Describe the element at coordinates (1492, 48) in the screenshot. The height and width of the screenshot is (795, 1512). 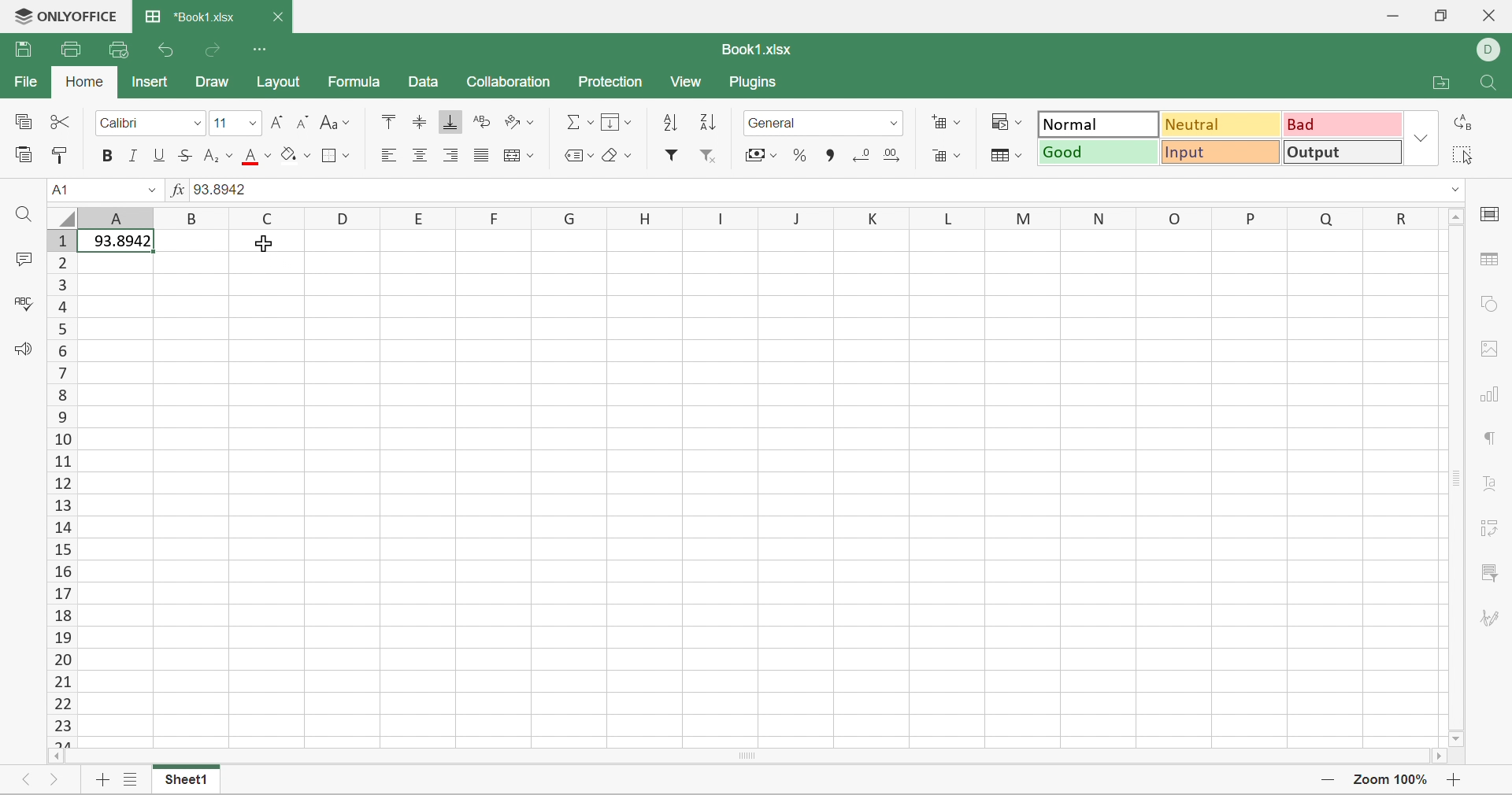
I see `DELL` at that location.